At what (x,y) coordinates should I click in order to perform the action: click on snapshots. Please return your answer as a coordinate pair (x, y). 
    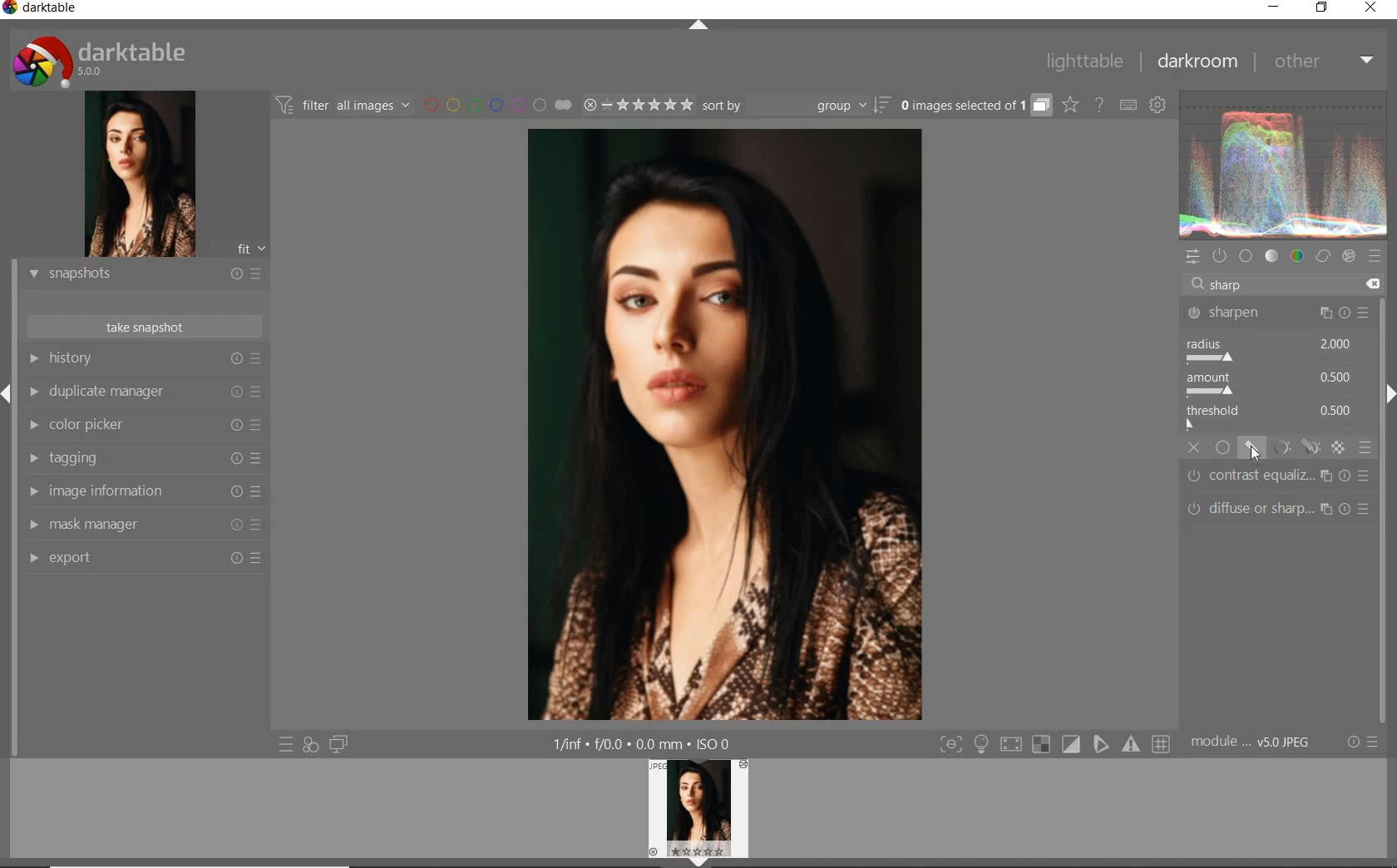
    Looking at the image, I should click on (142, 274).